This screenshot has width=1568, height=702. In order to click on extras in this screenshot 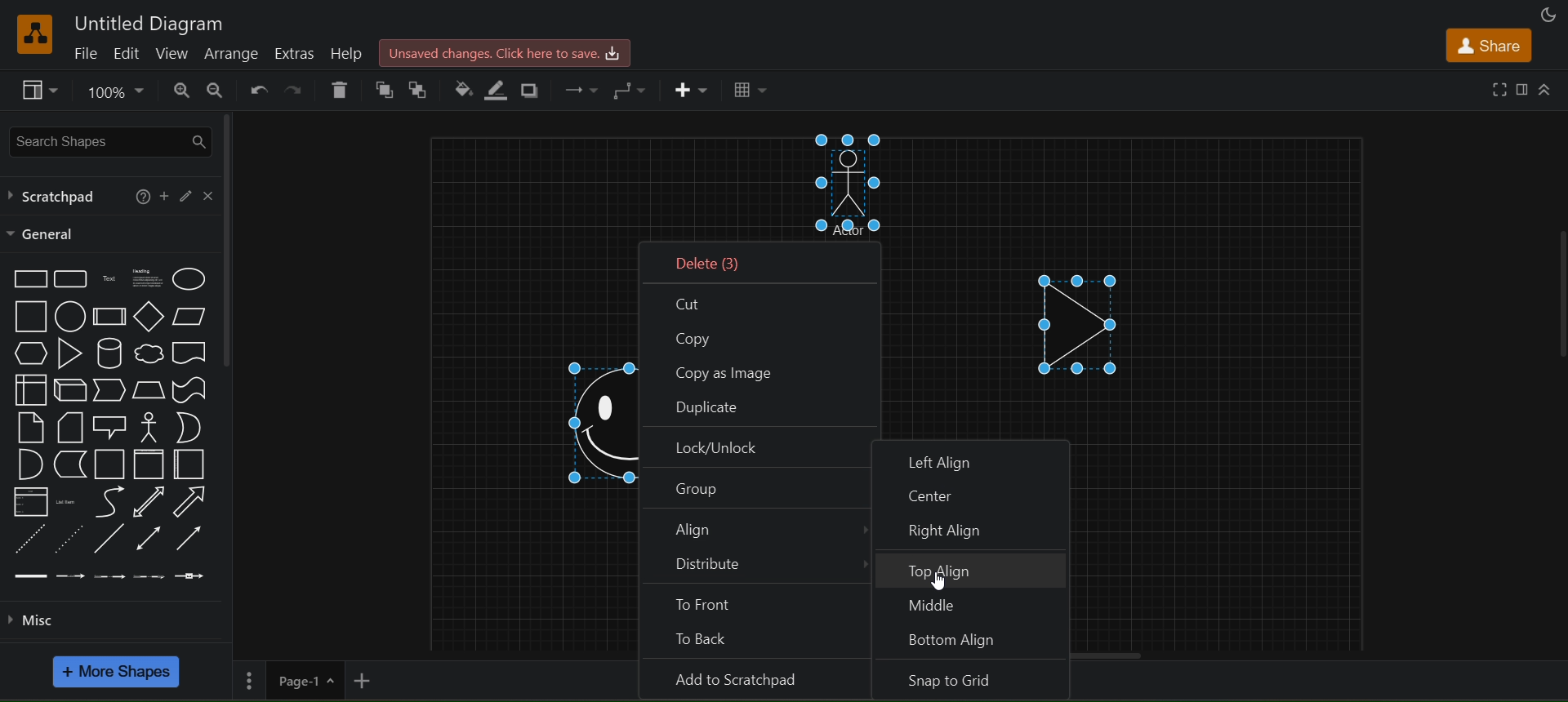, I will do `click(296, 54)`.